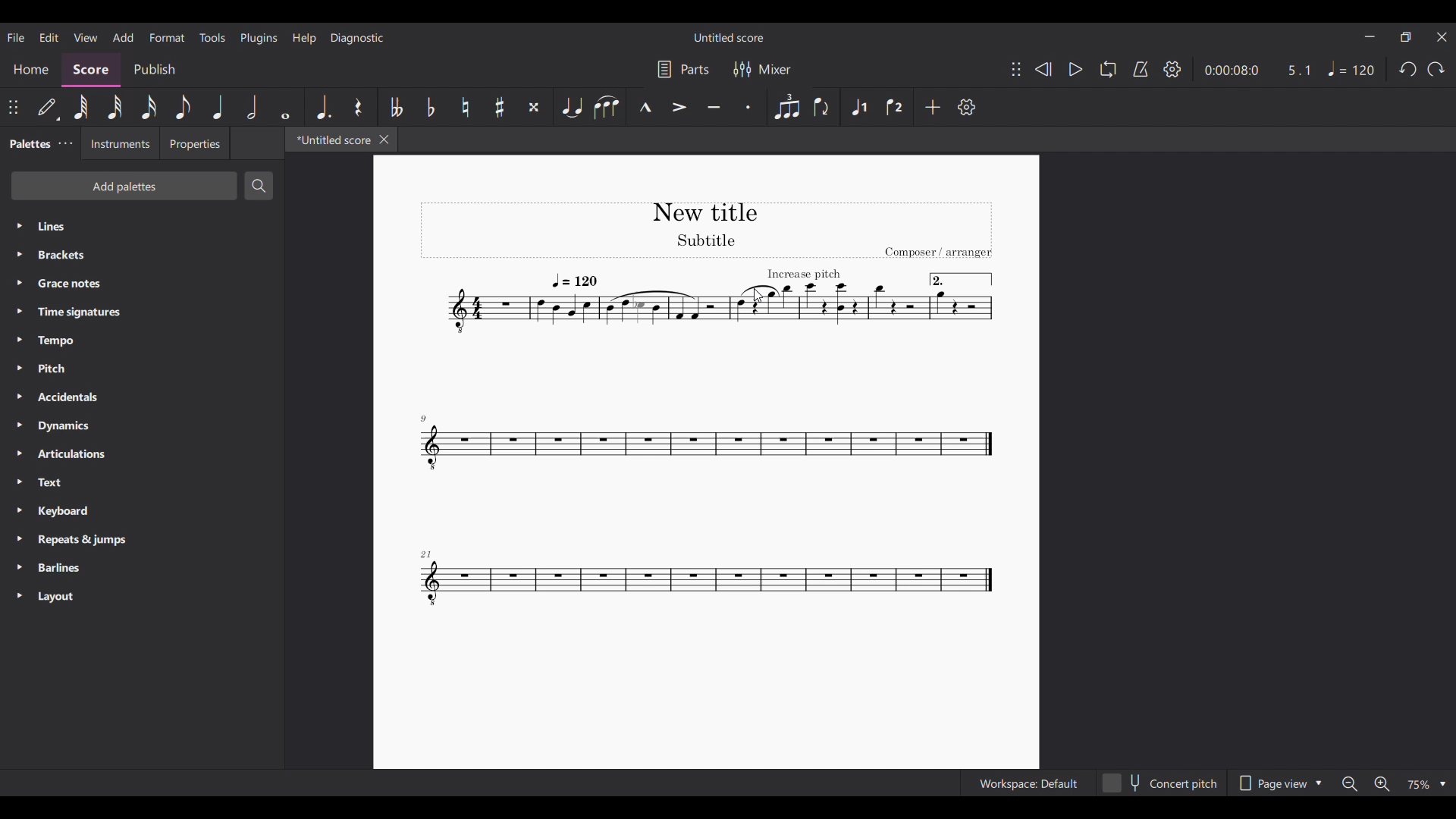 This screenshot has width=1456, height=819. Describe the element at coordinates (141, 283) in the screenshot. I see `Grace notes` at that location.